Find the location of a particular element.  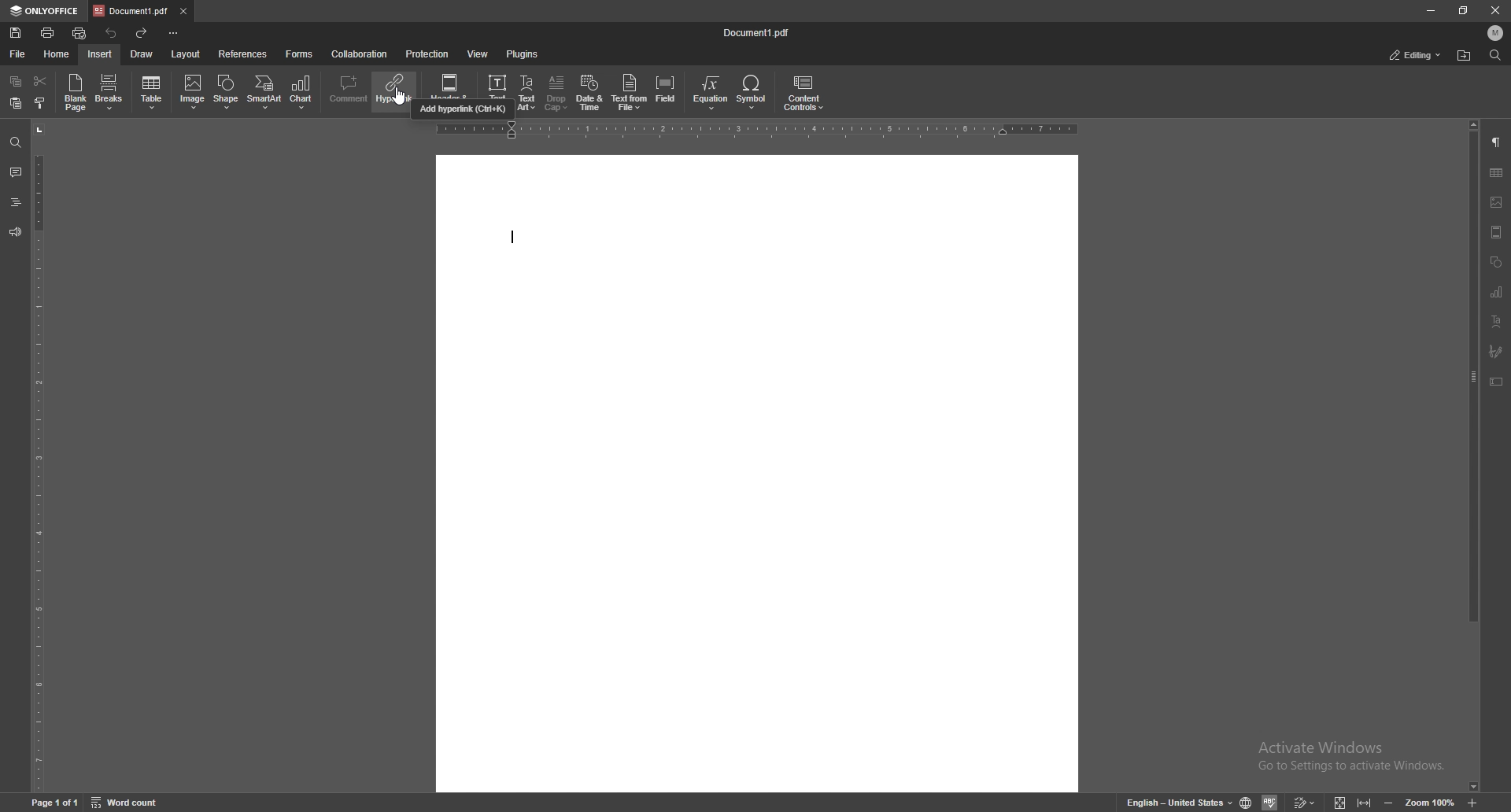

draw is located at coordinates (142, 54).